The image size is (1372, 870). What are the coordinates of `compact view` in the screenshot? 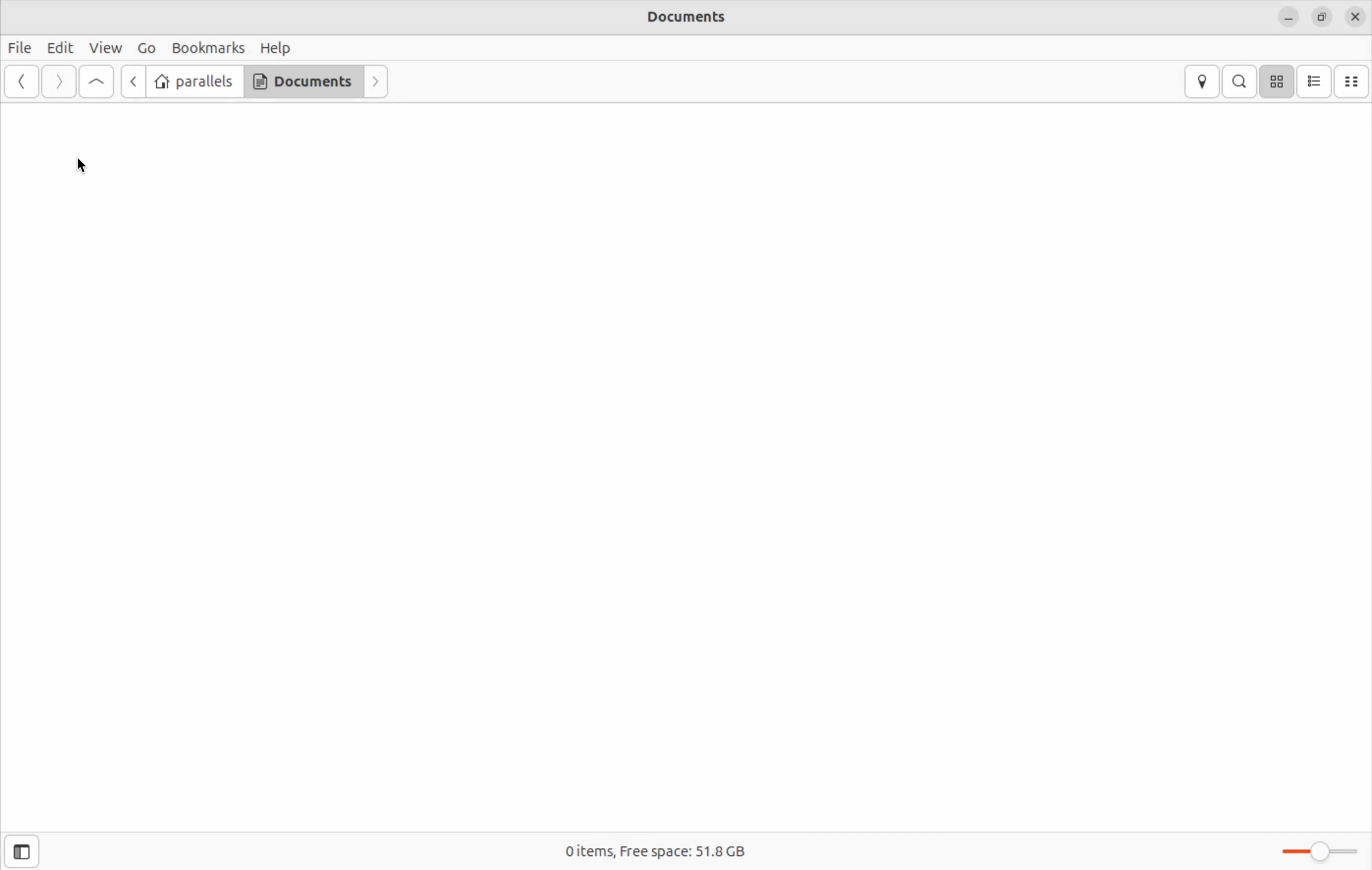 It's located at (1354, 81).